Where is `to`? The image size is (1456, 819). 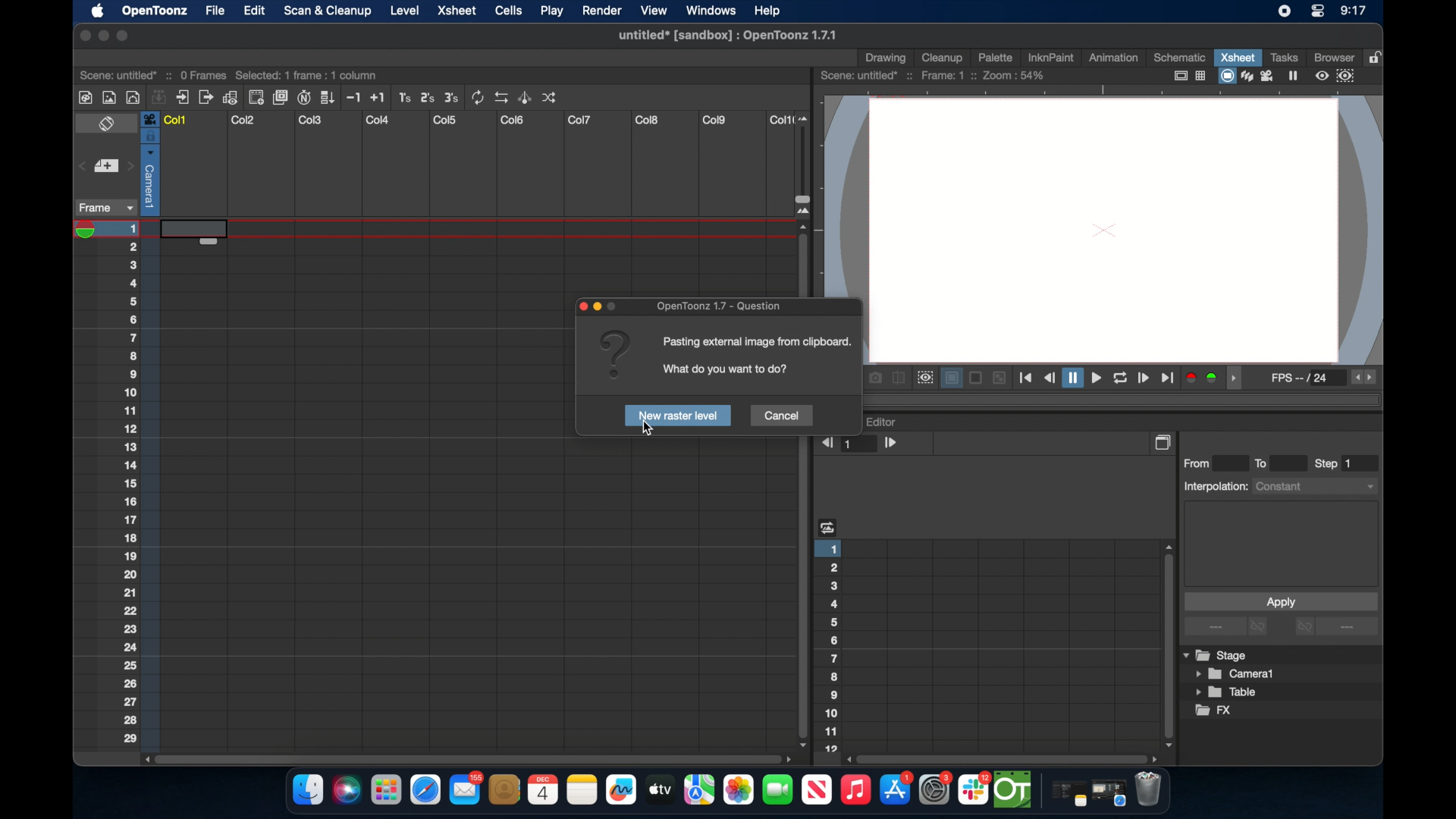
to is located at coordinates (1266, 463).